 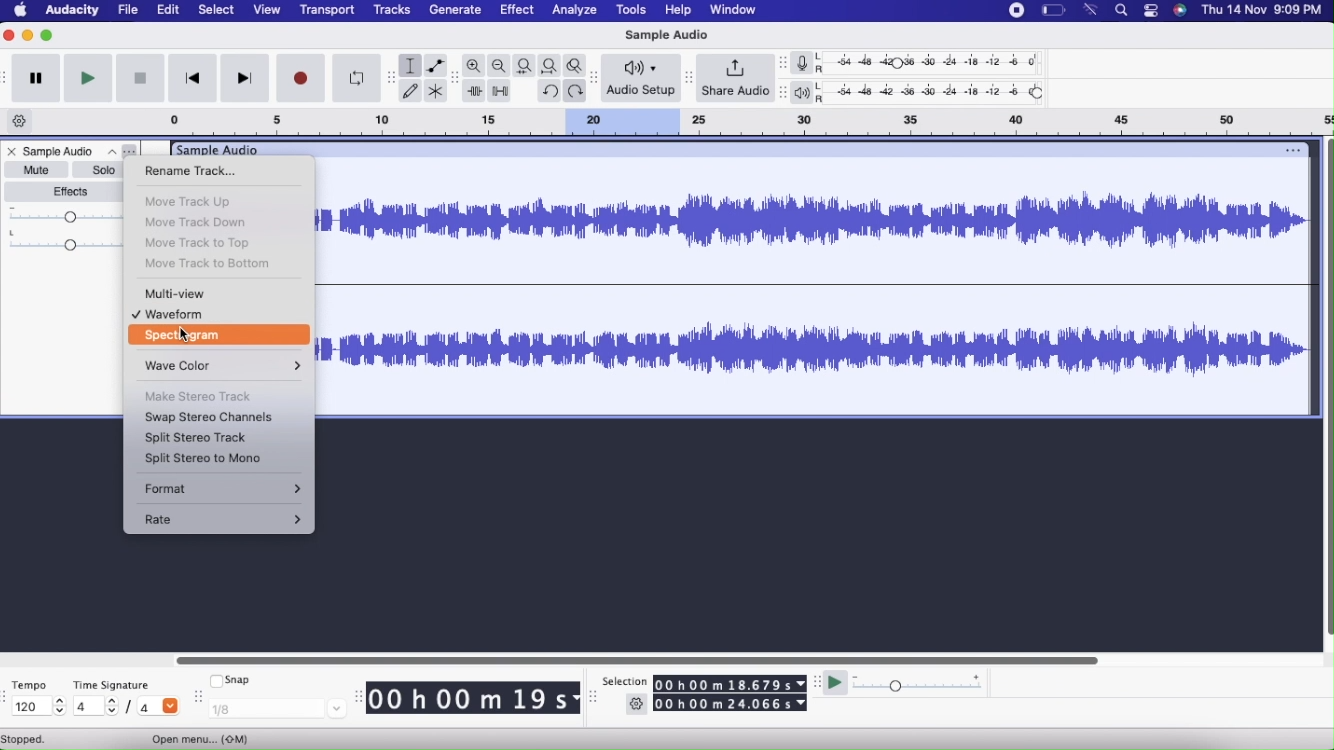 What do you see at coordinates (940, 64) in the screenshot?
I see `Recording level` at bounding box center [940, 64].